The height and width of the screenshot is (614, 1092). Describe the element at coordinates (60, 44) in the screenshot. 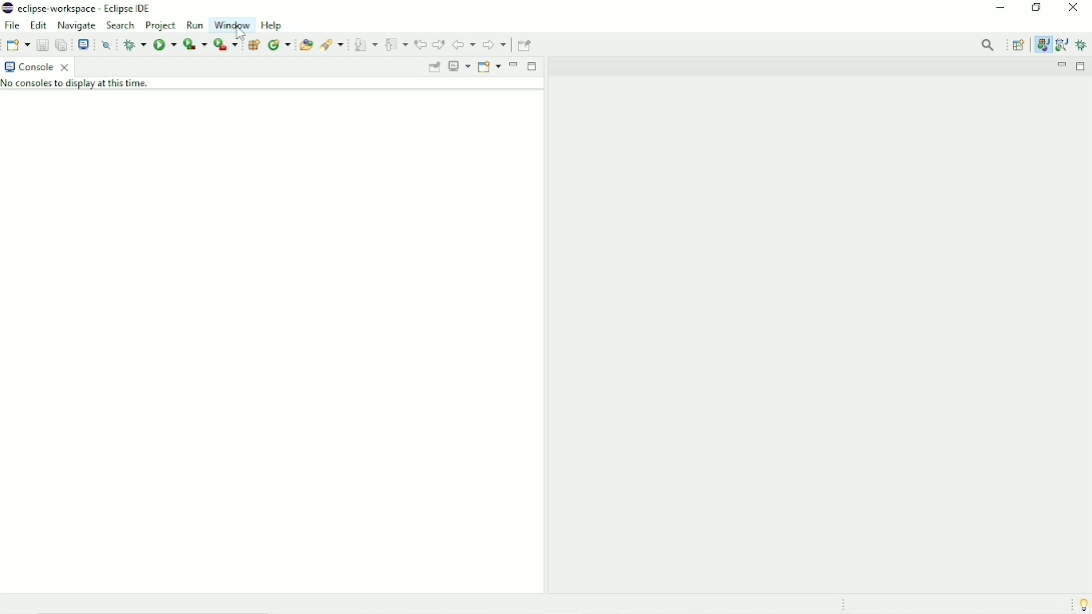

I see `Save all` at that location.